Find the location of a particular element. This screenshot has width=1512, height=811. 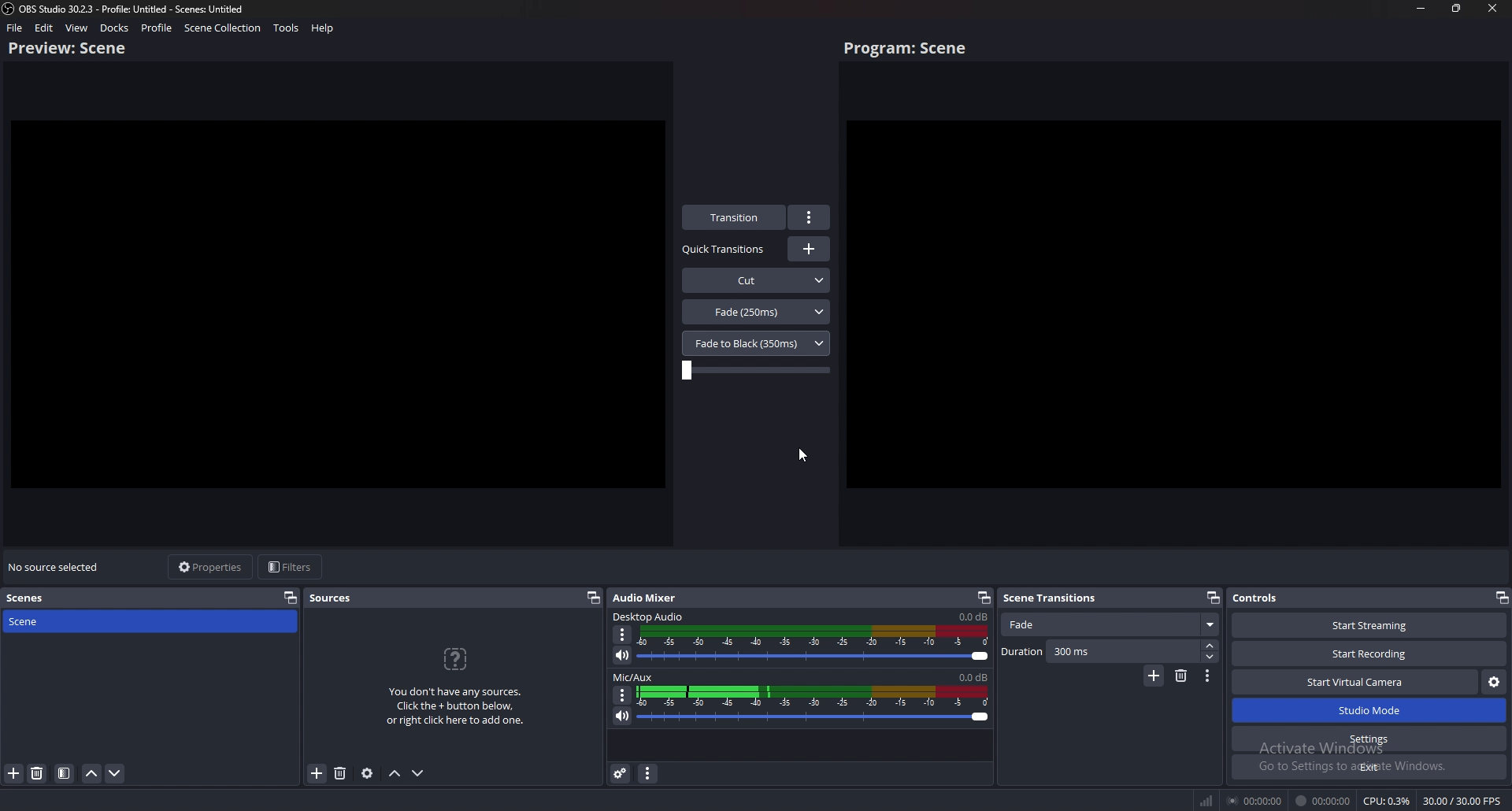

Add scene transitions is located at coordinates (1153, 676).